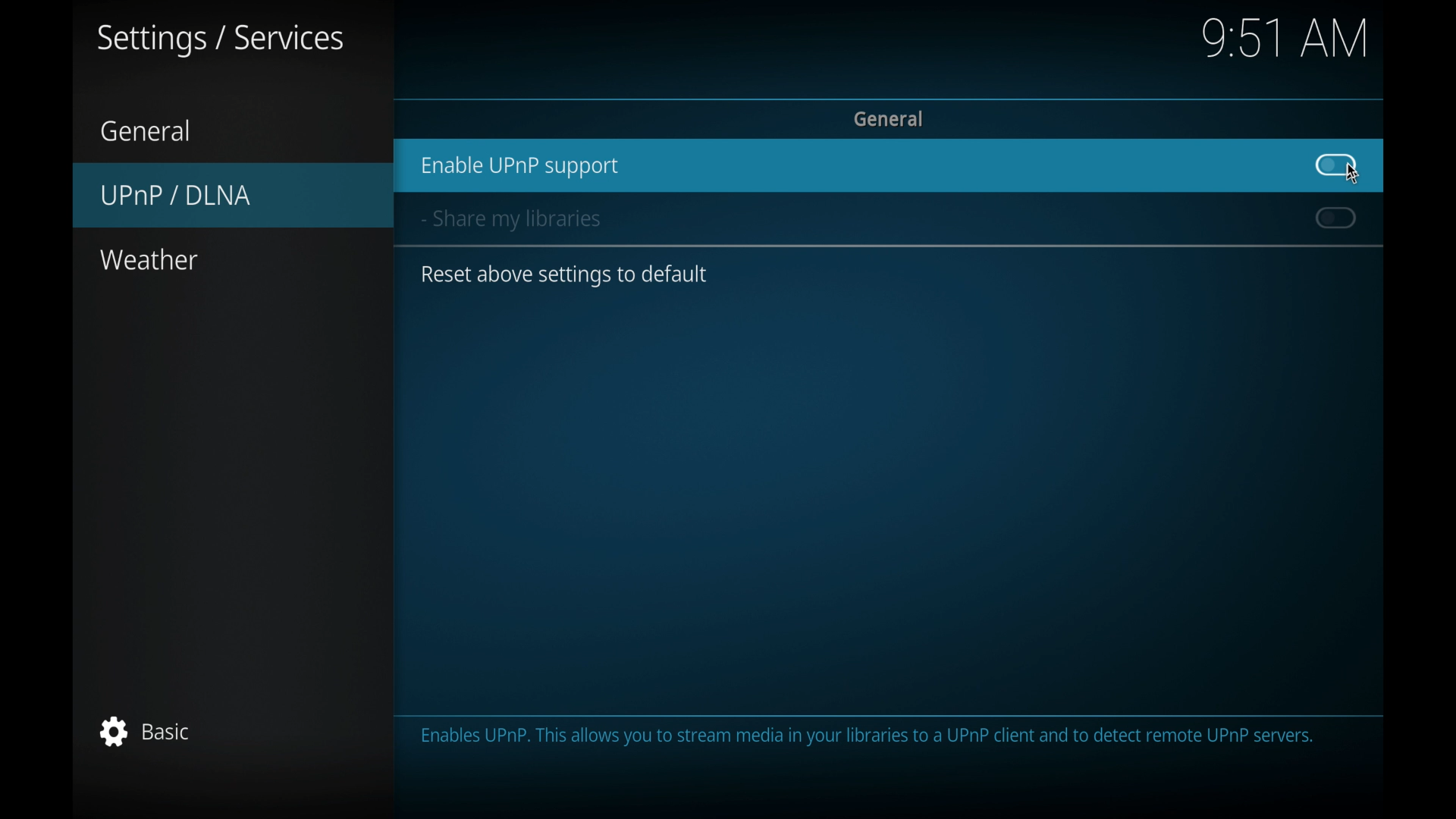 The image size is (1456, 819). What do you see at coordinates (149, 260) in the screenshot?
I see `weather` at bounding box center [149, 260].